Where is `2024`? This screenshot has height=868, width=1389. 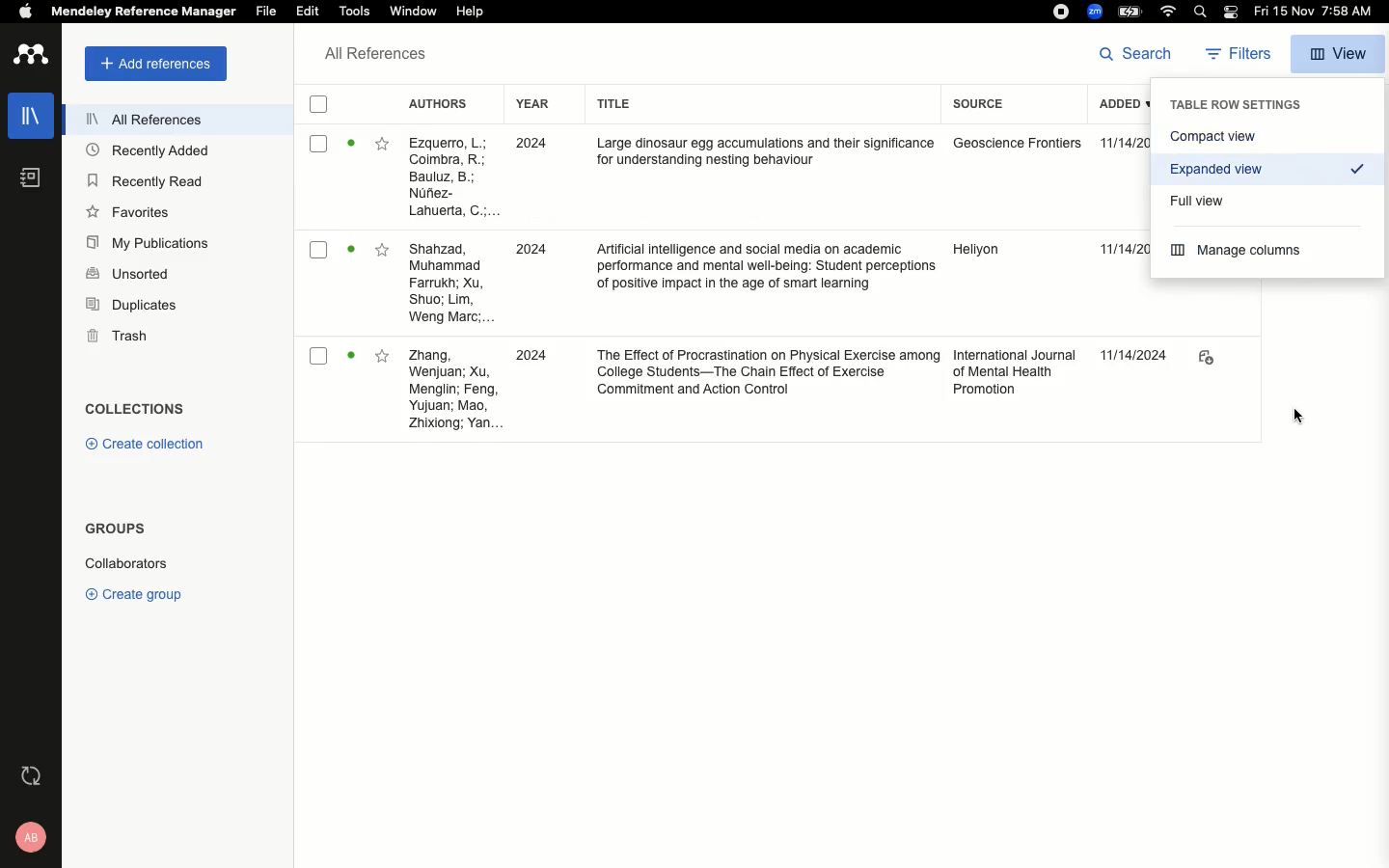 2024 is located at coordinates (531, 248).